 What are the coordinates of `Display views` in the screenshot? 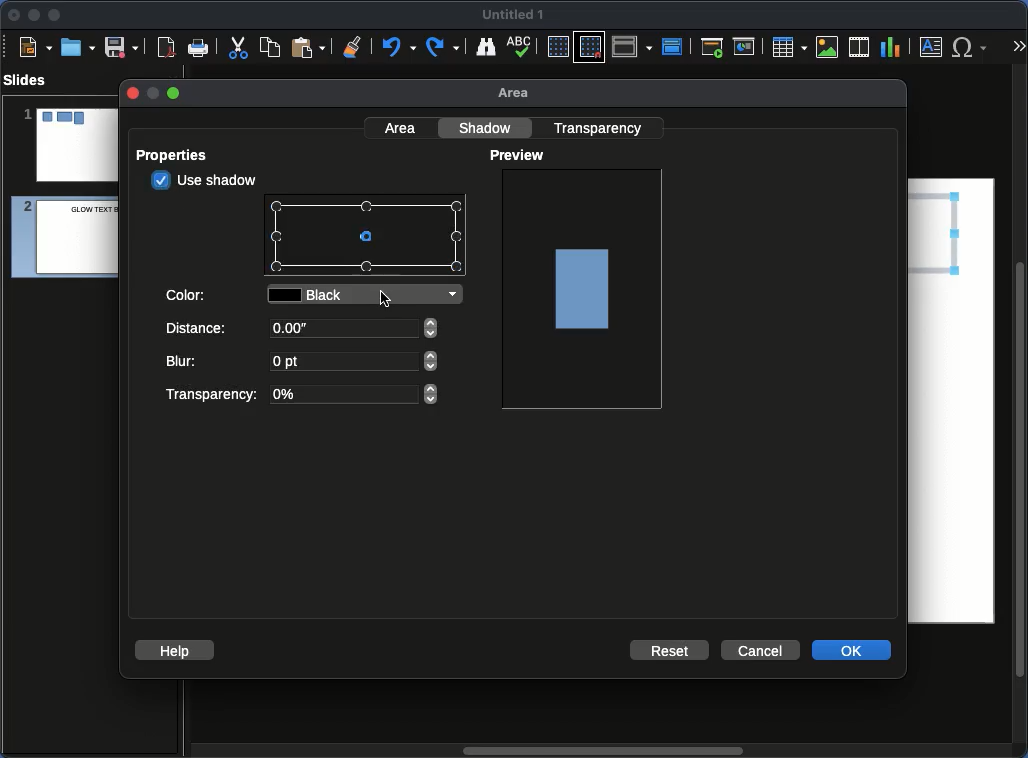 It's located at (635, 45).